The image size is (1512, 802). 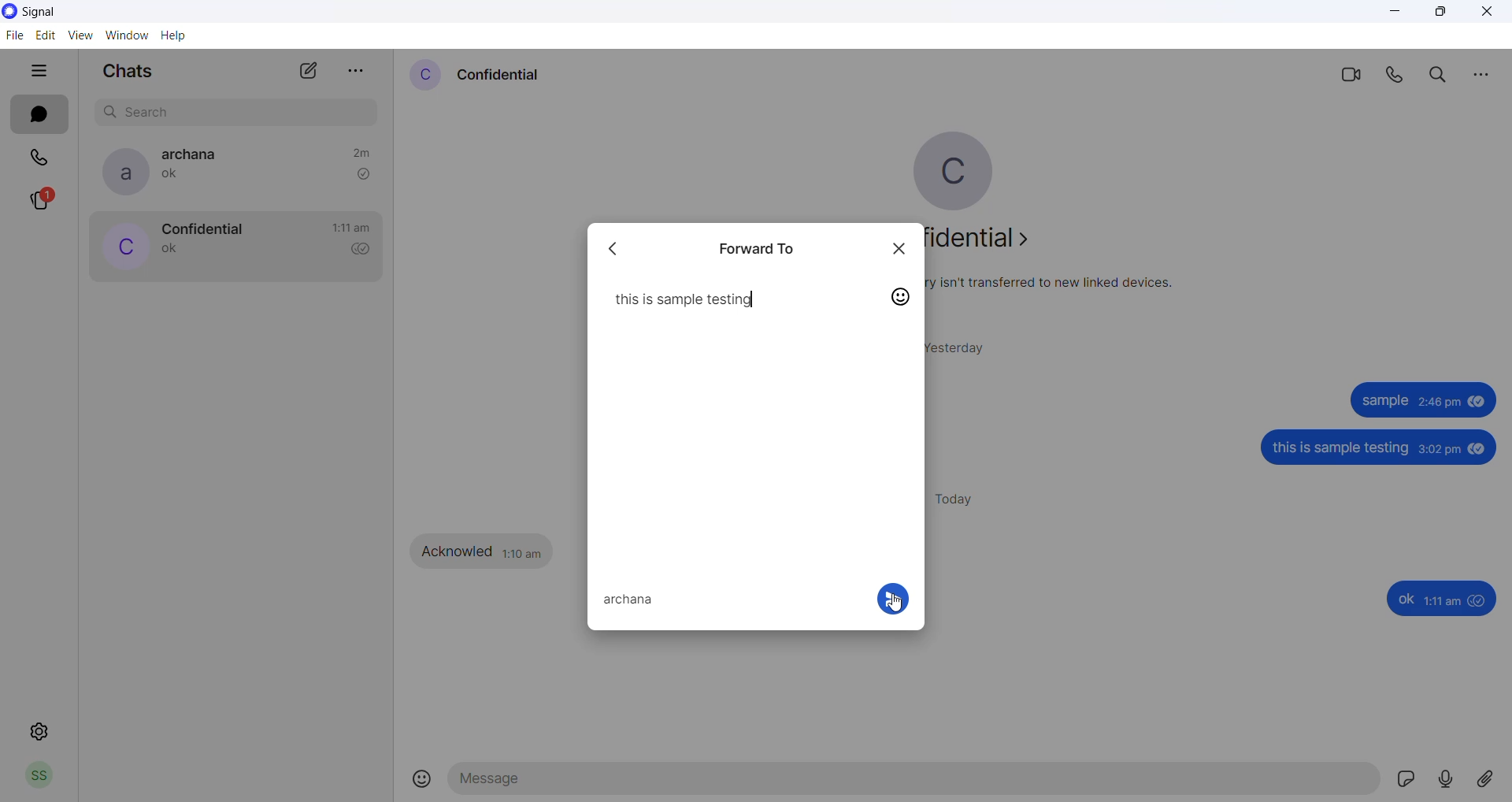 What do you see at coordinates (891, 599) in the screenshot?
I see `send message button` at bounding box center [891, 599].